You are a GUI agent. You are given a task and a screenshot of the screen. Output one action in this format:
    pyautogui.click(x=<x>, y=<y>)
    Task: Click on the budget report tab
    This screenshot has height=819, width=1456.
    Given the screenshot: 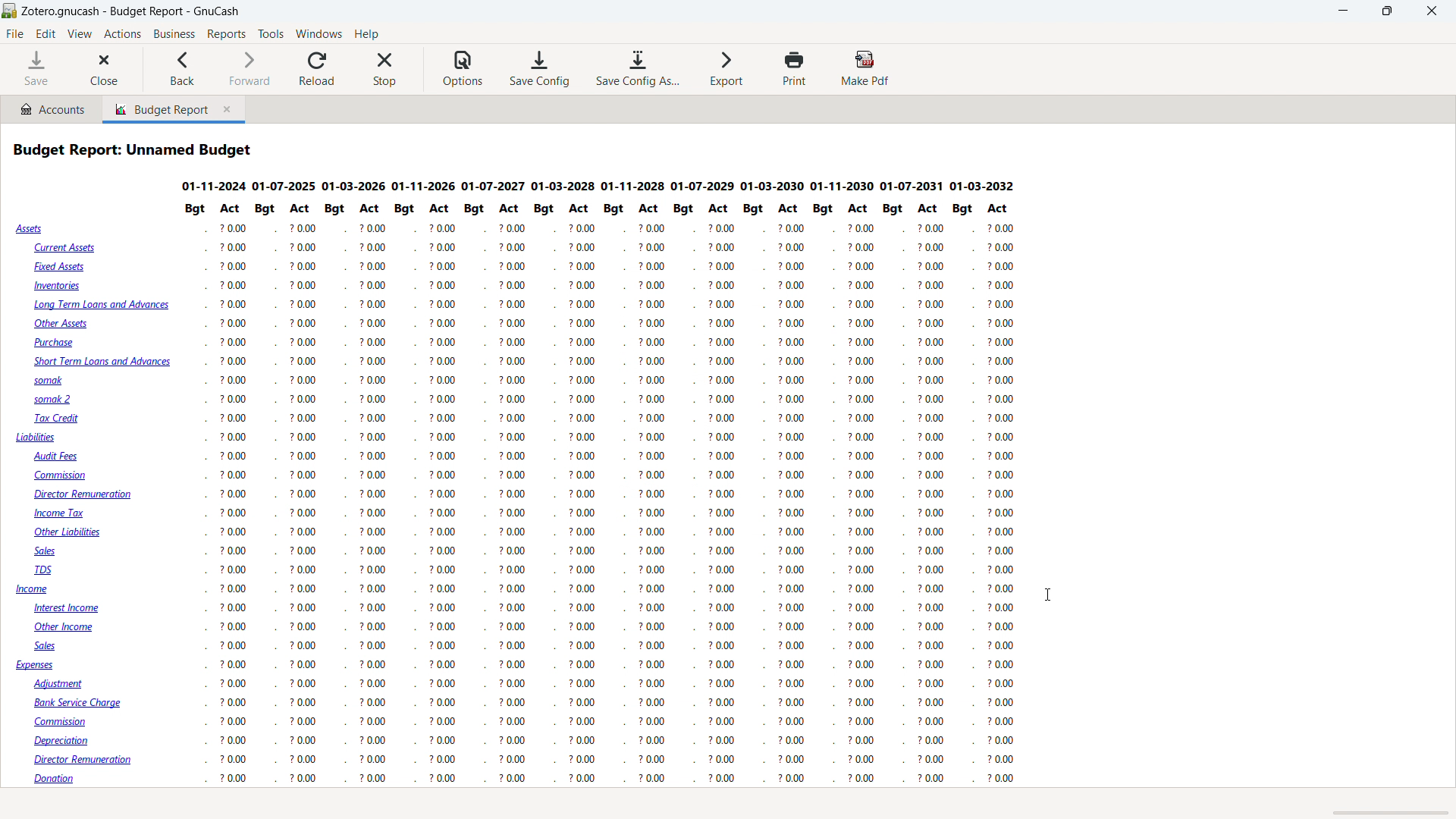 What is the action you would take?
    pyautogui.click(x=157, y=109)
    